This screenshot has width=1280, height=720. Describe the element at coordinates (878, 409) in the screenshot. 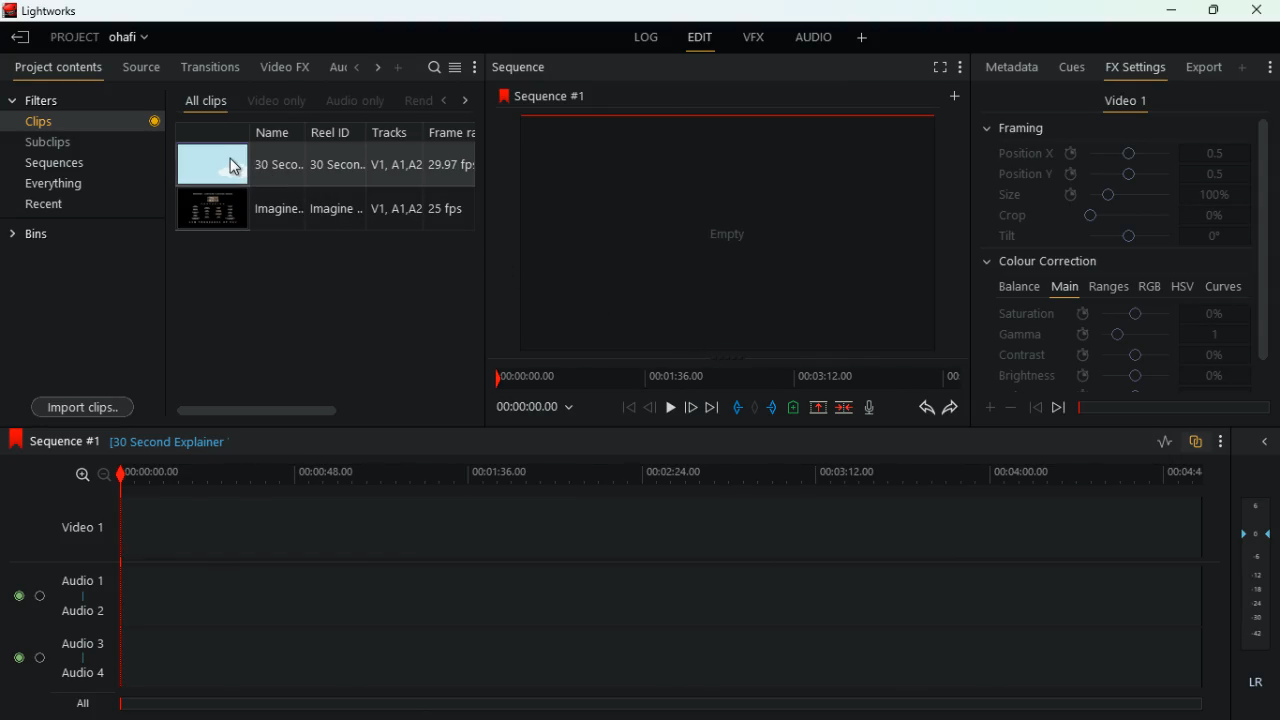

I see `mic` at that location.